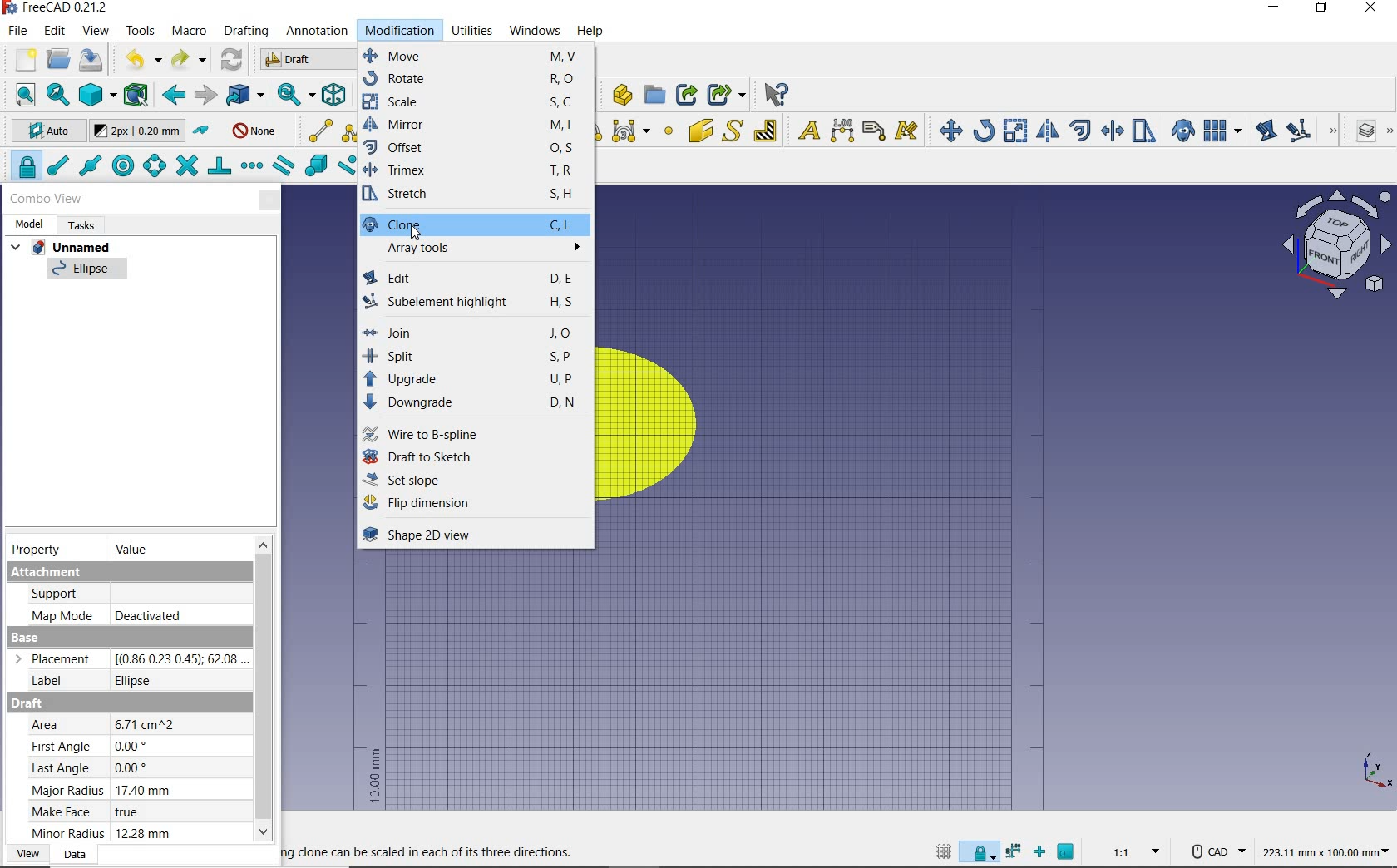  Describe the element at coordinates (138, 132) in the screenshot. I see `change default size for new object` at that location.